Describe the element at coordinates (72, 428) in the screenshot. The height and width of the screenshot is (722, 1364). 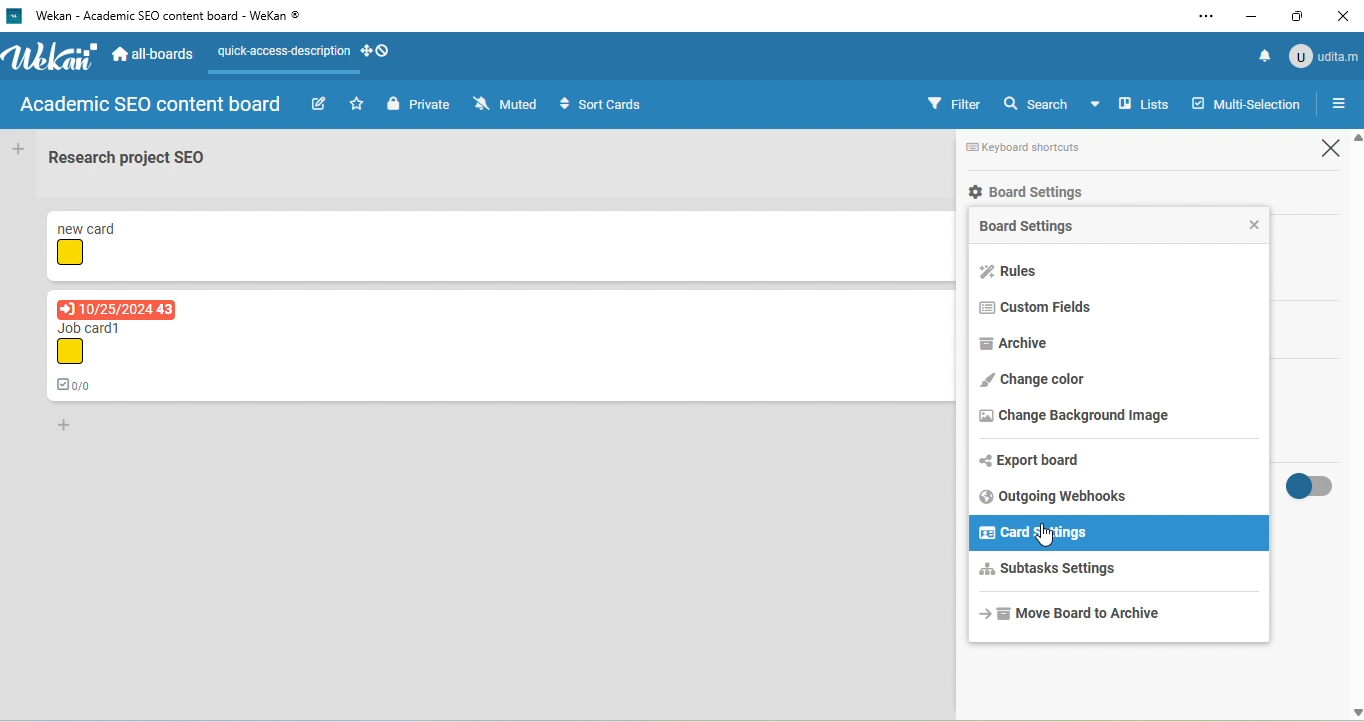
I see `add card to bottom ` at that location.